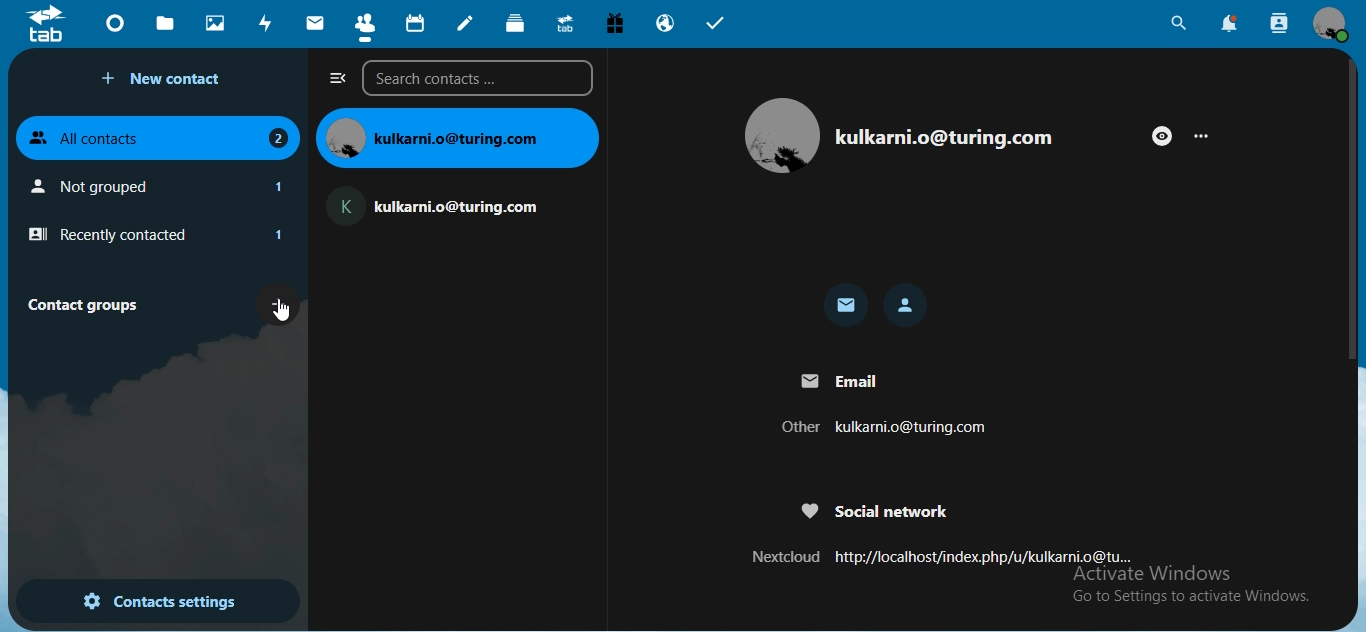 Image resolution: width=1366 pixels, height=632 pixels. I want to click on Nextcloud http://localhost/index.ohp/u/kulkarni.o@tu..., so click(937, 555).